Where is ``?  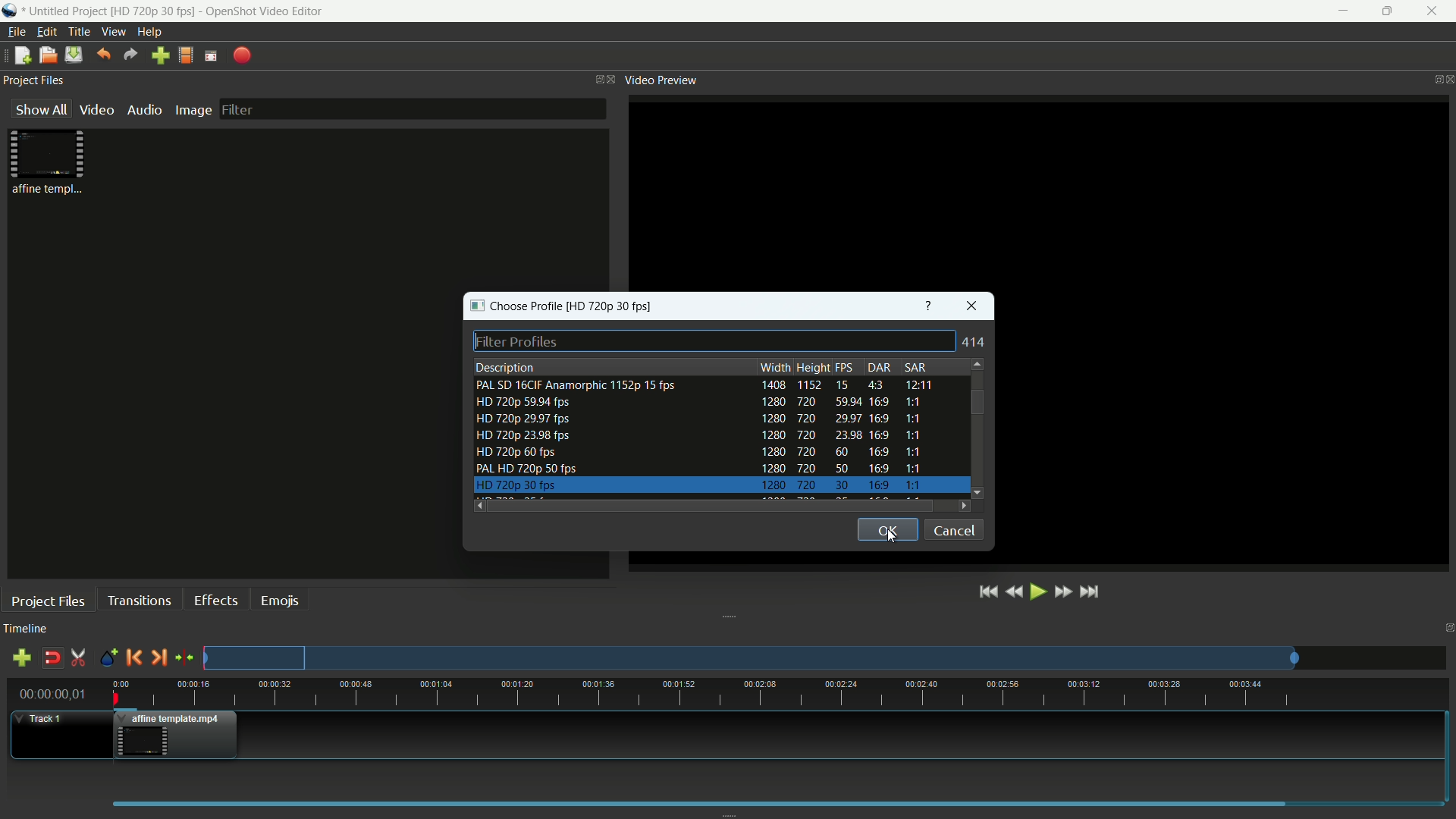  is located at coordinates (943, 312).